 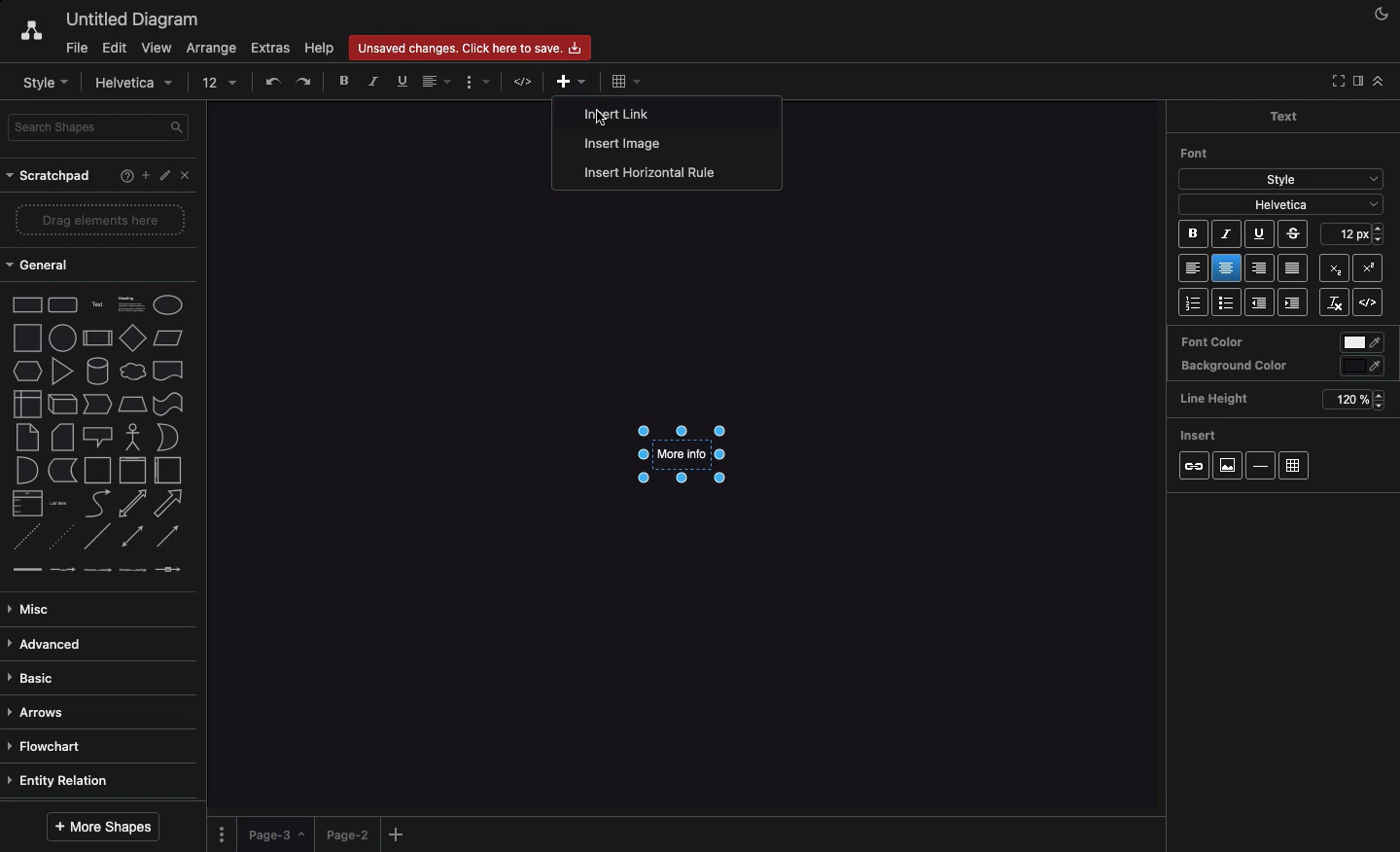 What do you see at coordinates (623, 82) in the screenshot?
I see `Add` at bounding box center [623, 82].